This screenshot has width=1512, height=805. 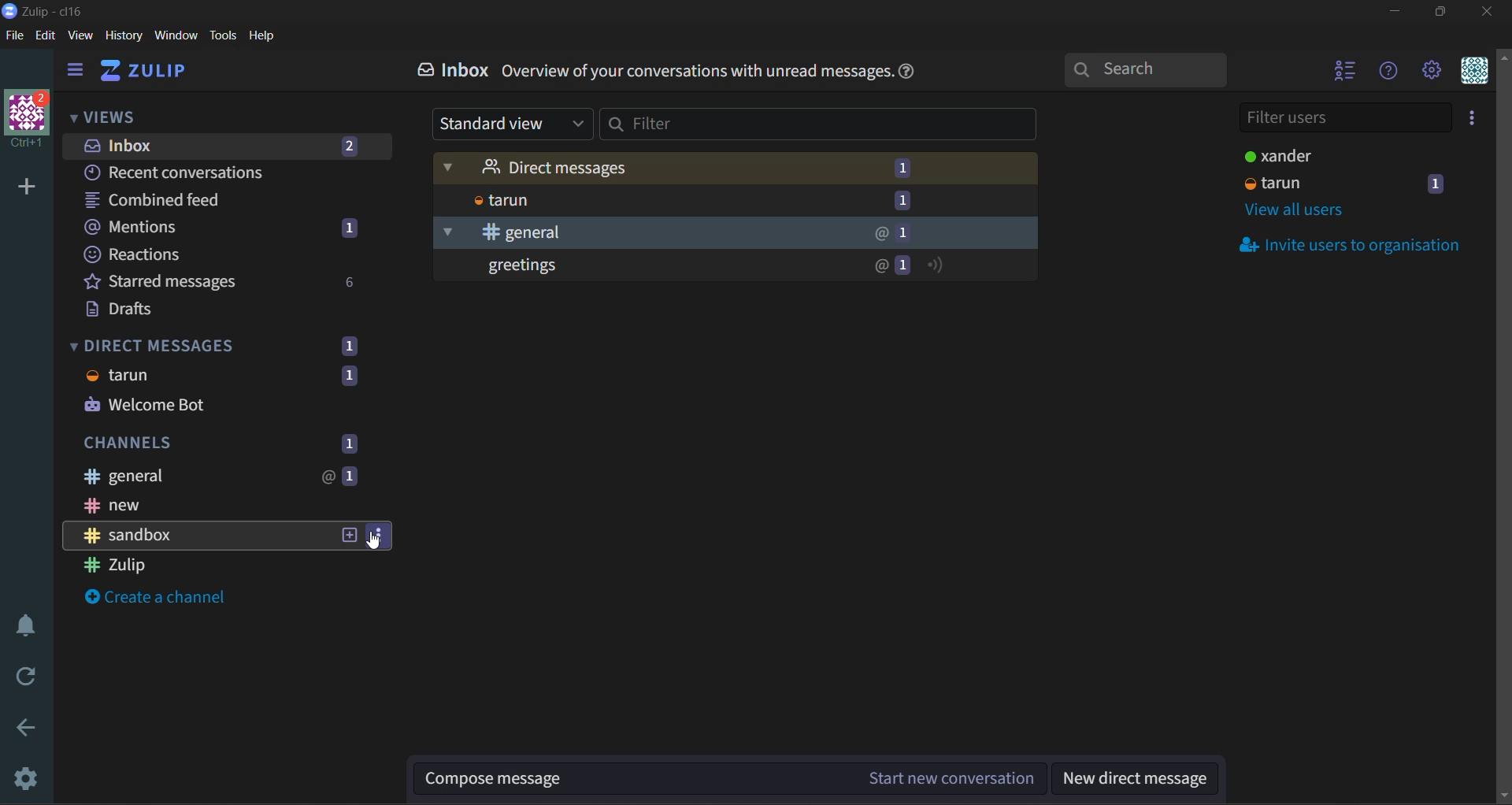 I want to click on personal menu, so click(x=1474, y=74).